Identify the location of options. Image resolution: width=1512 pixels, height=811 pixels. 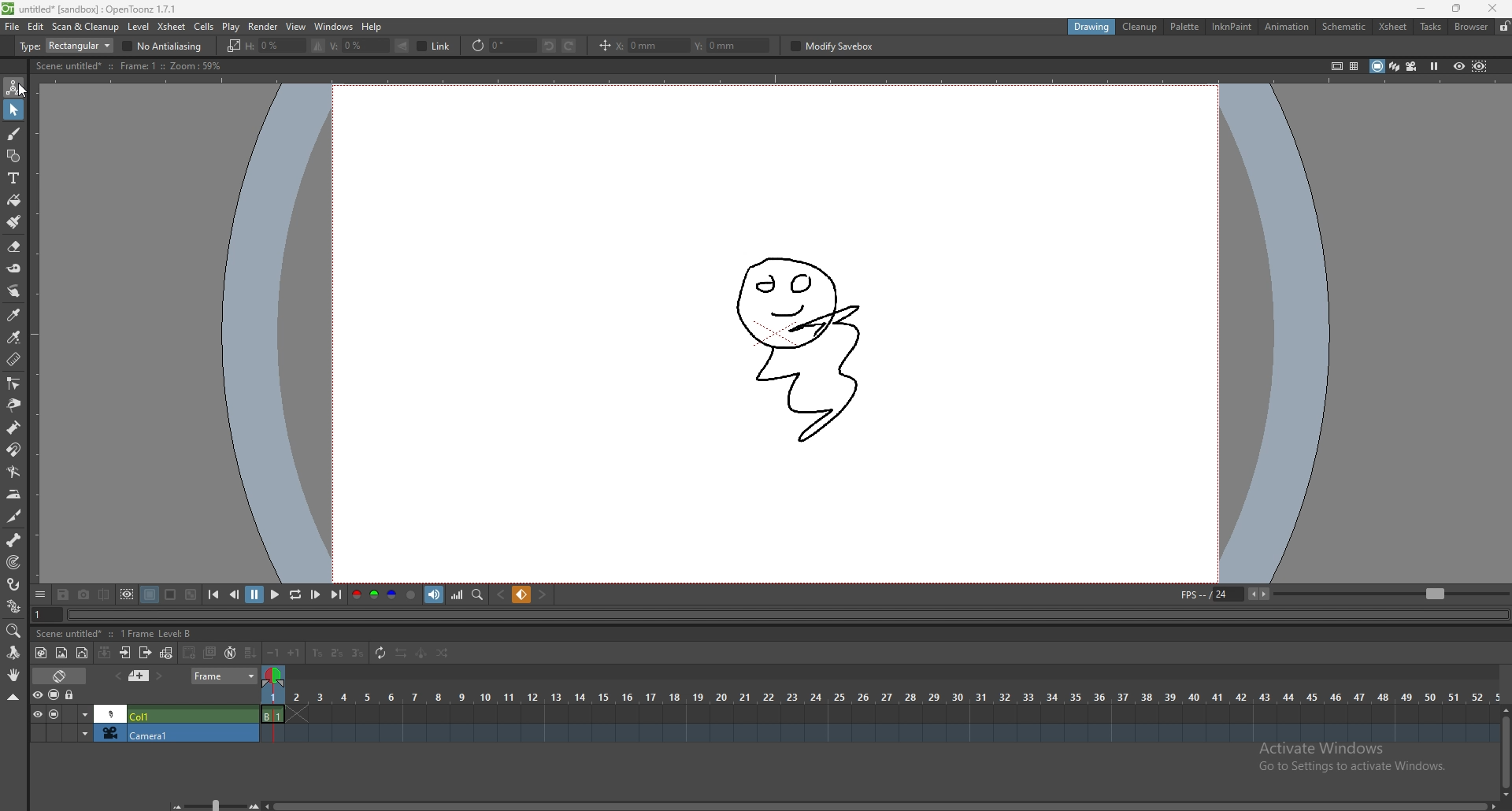
(41, 593).